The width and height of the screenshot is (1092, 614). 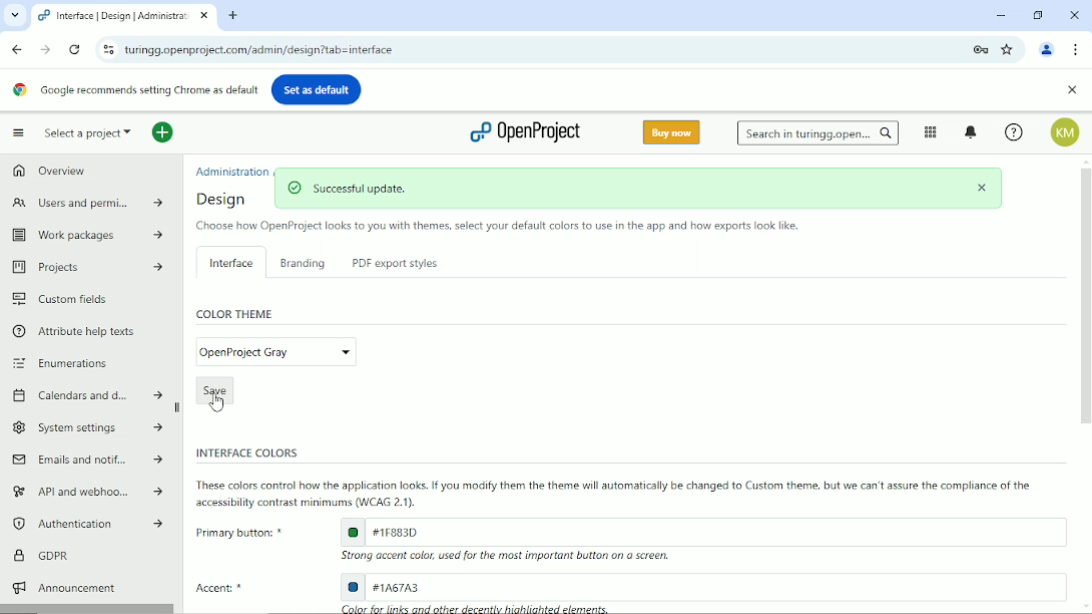 What do you see at coordinates (243, 452) in the screenshot?
I see `INTERFACE COLORS` at bounding box center [243, 452].